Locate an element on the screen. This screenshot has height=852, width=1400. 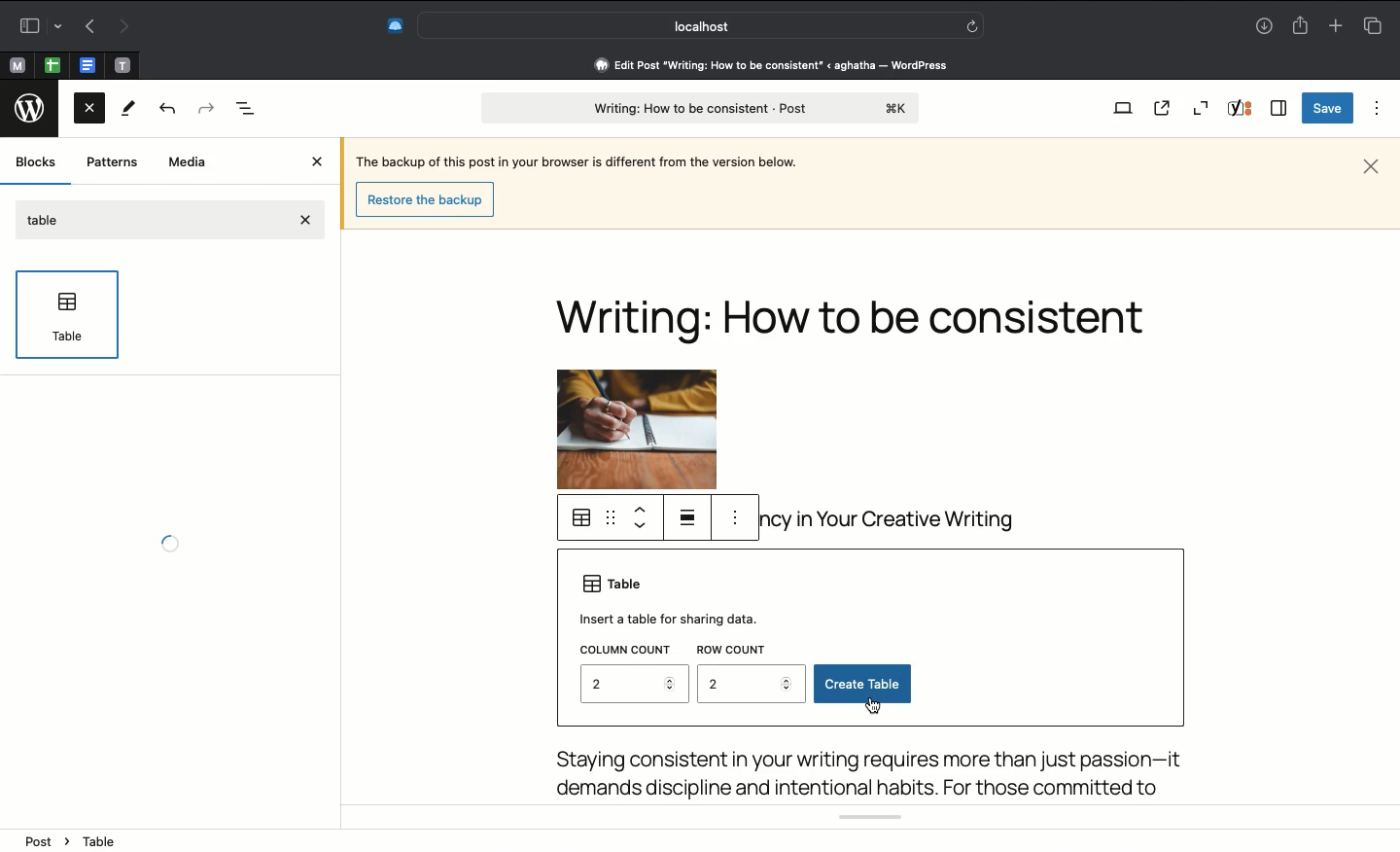
Downloads is located at coordinates (1266, 25).